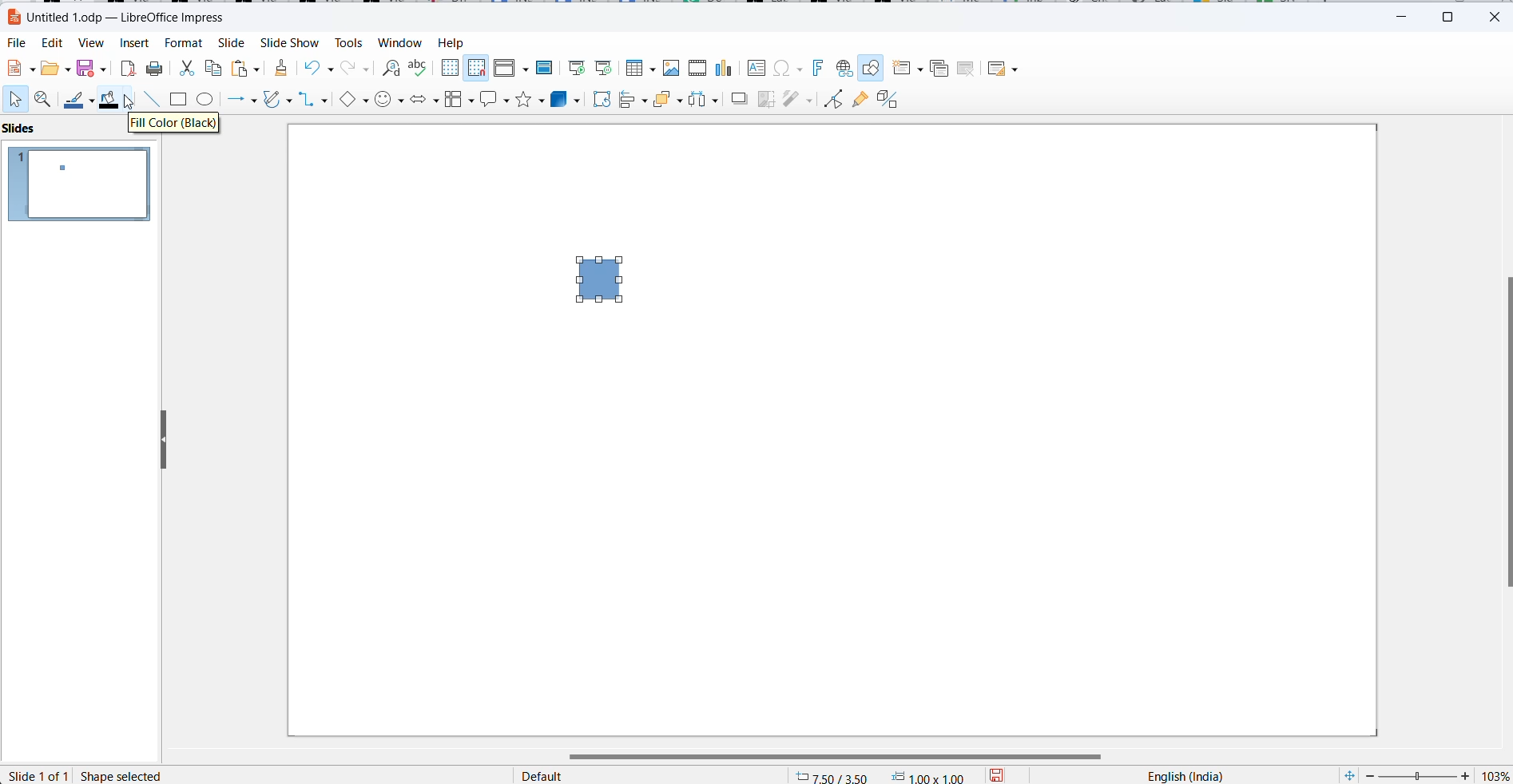  What do you see at coordinates (389, 66) in the screenshot?
I see `find and replace` at bounding box center [389, 66].